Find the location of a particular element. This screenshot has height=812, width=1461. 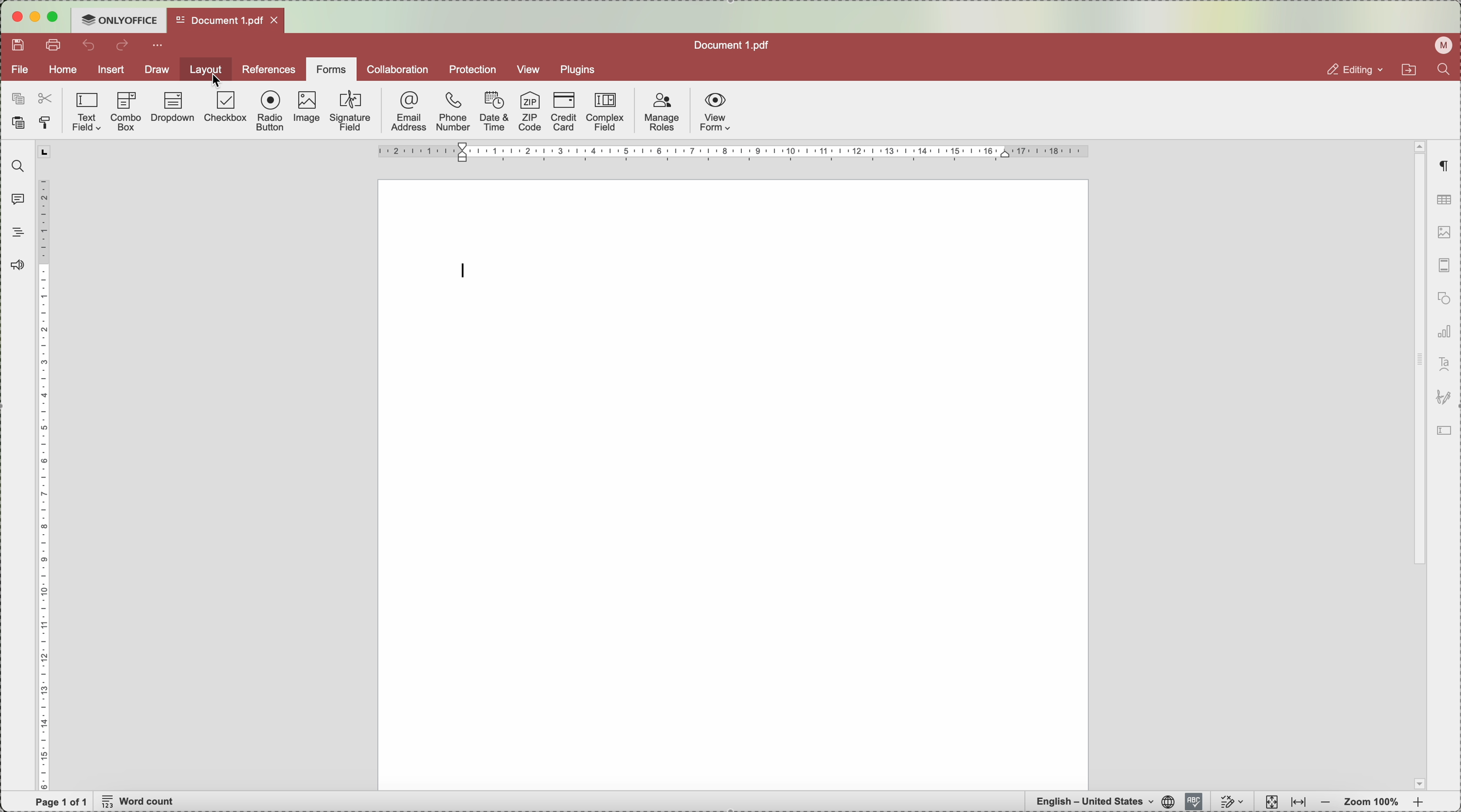

draw is located at coordinates (153, 70).